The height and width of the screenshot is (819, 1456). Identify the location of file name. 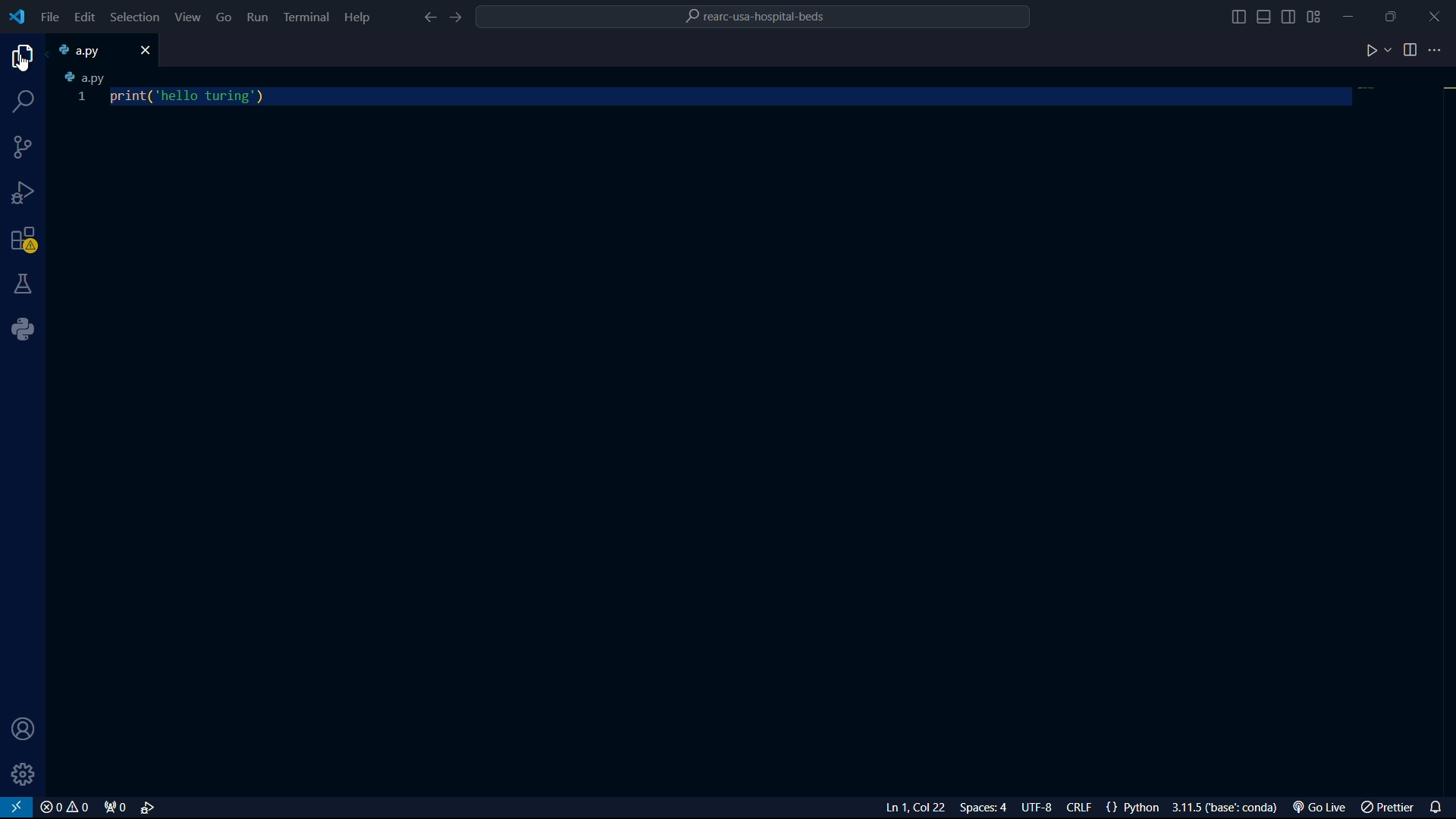
(89, 49).